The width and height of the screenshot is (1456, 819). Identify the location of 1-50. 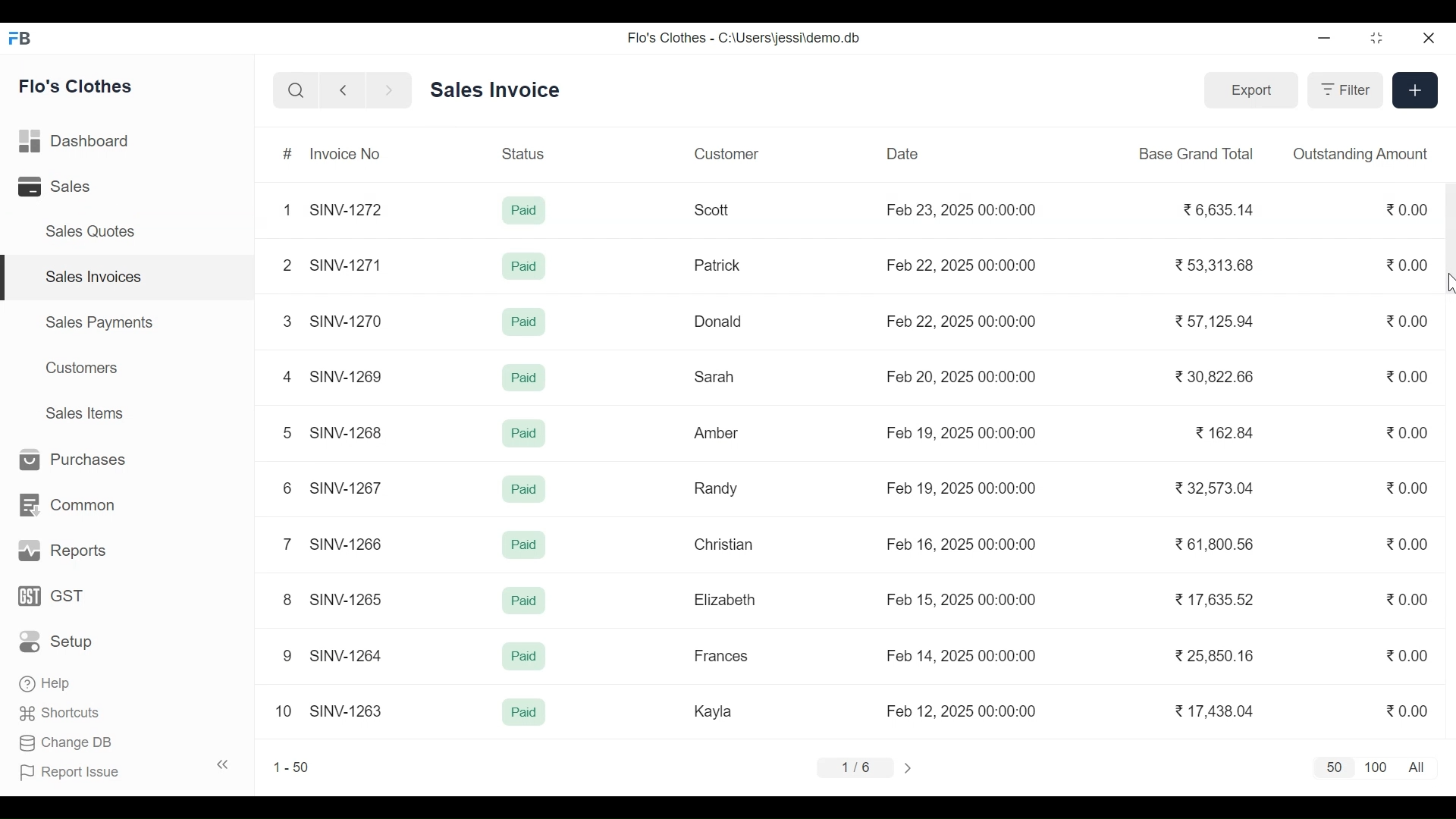
(291, 767).